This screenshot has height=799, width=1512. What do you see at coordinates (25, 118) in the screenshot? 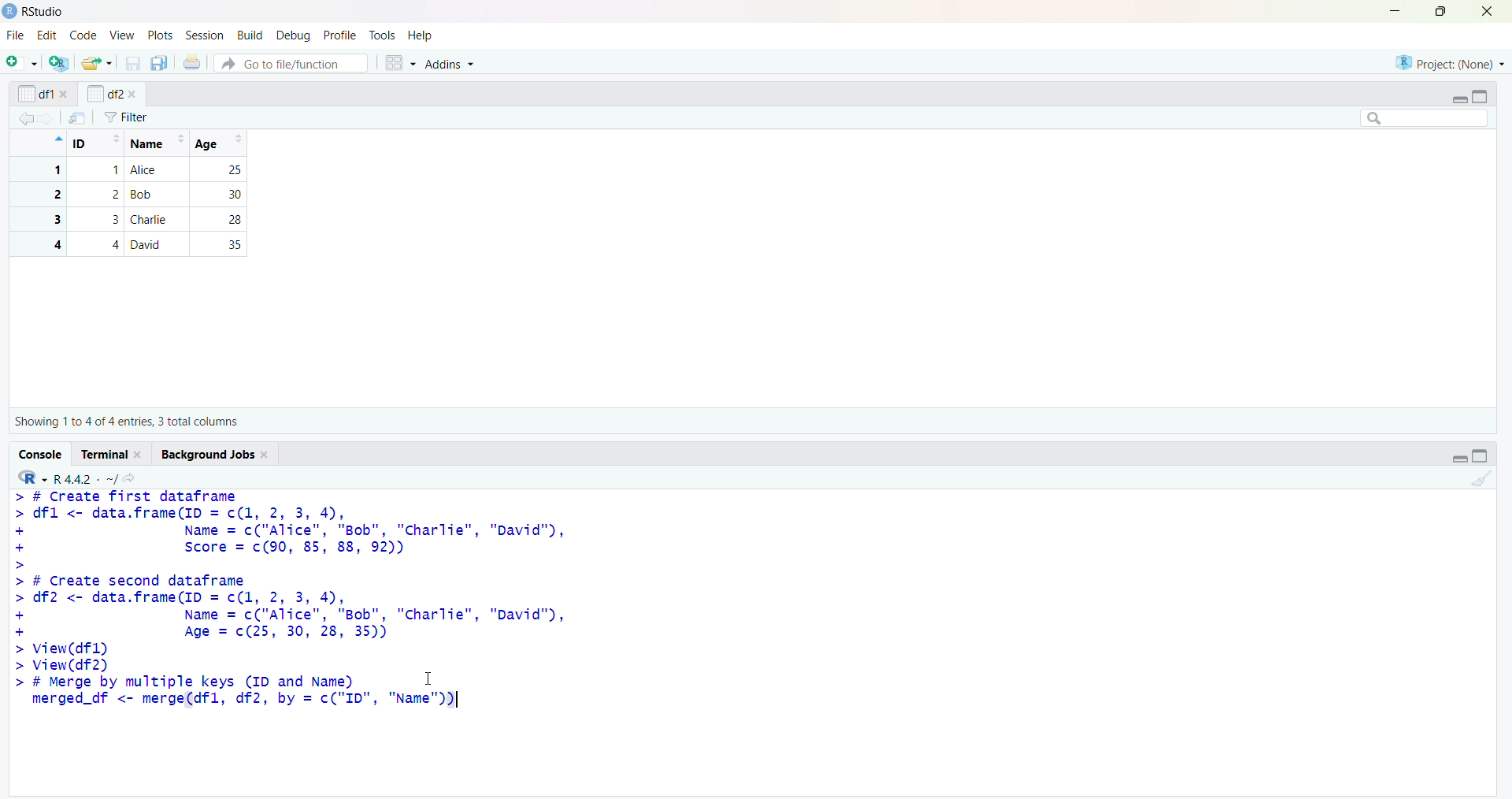
I see `backward` at bounding box center [25, 118].